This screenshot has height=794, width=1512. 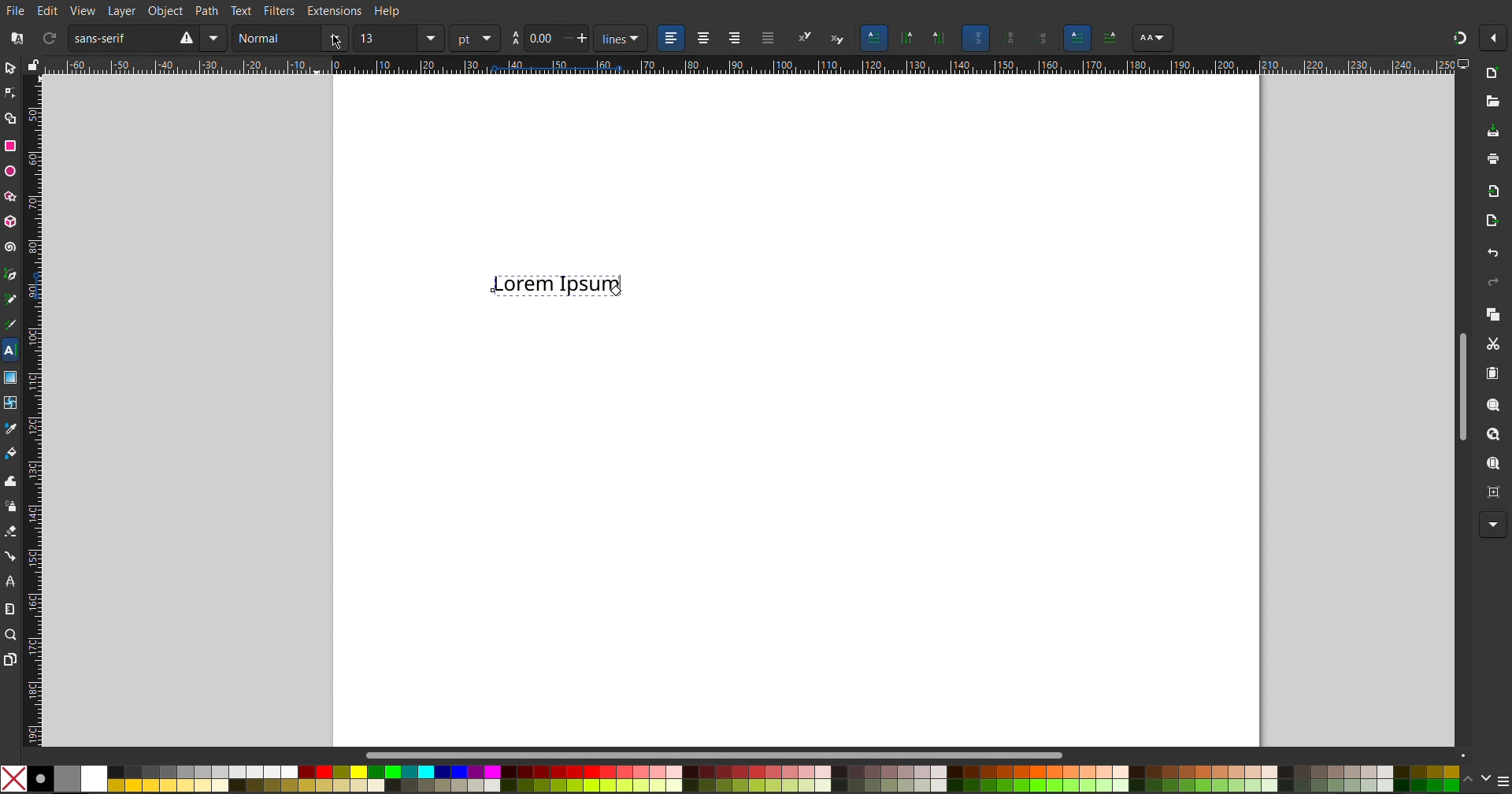 What do you see at coordinates (15, 39) in the screenshot?
I see `Select Font Collections` at bounding box center [15, 39].